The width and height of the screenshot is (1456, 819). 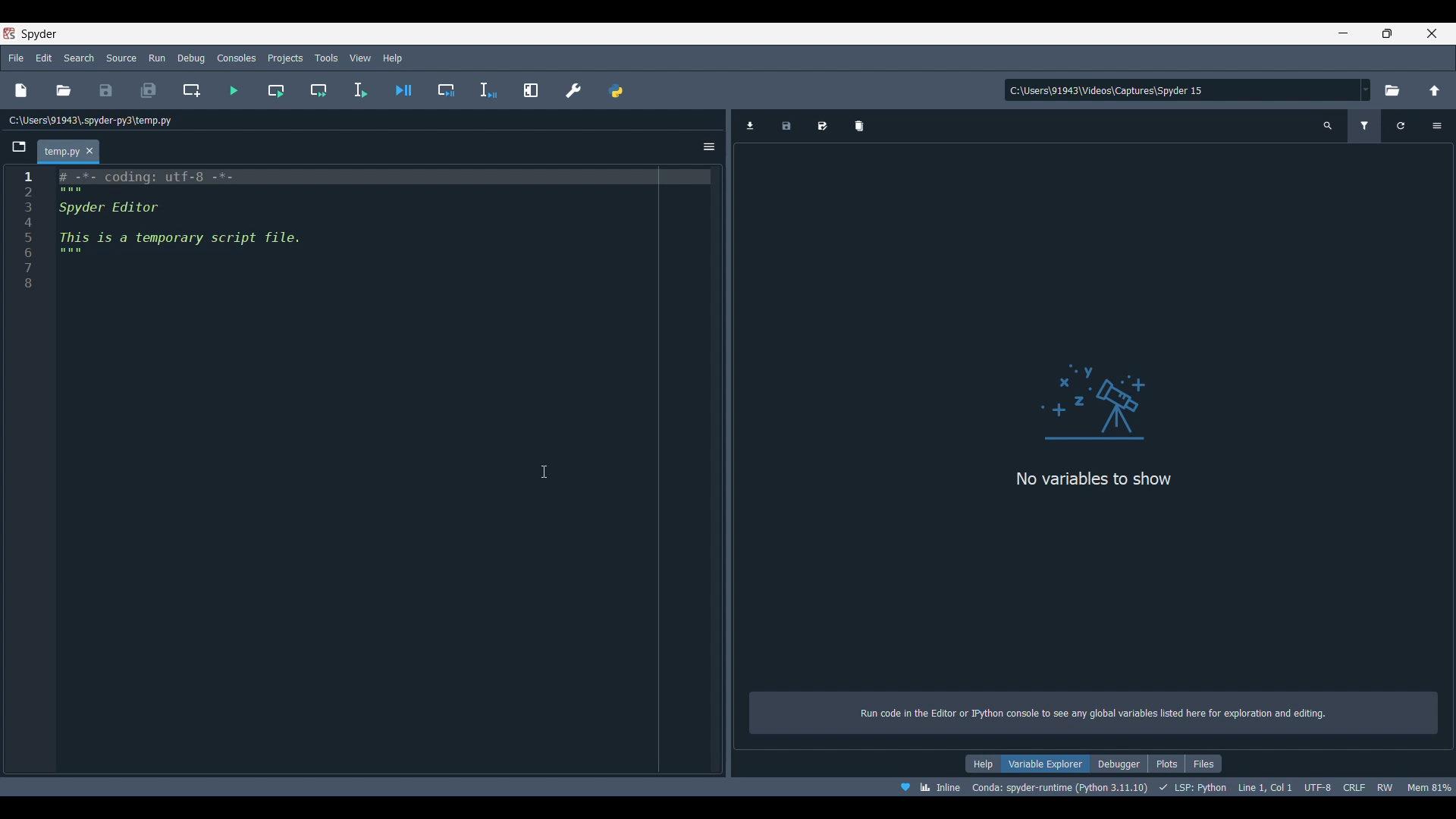 What do you see at coordinates (544, 471) in the screenshot?
I see `Cursor` at bounding box center [544, 471].